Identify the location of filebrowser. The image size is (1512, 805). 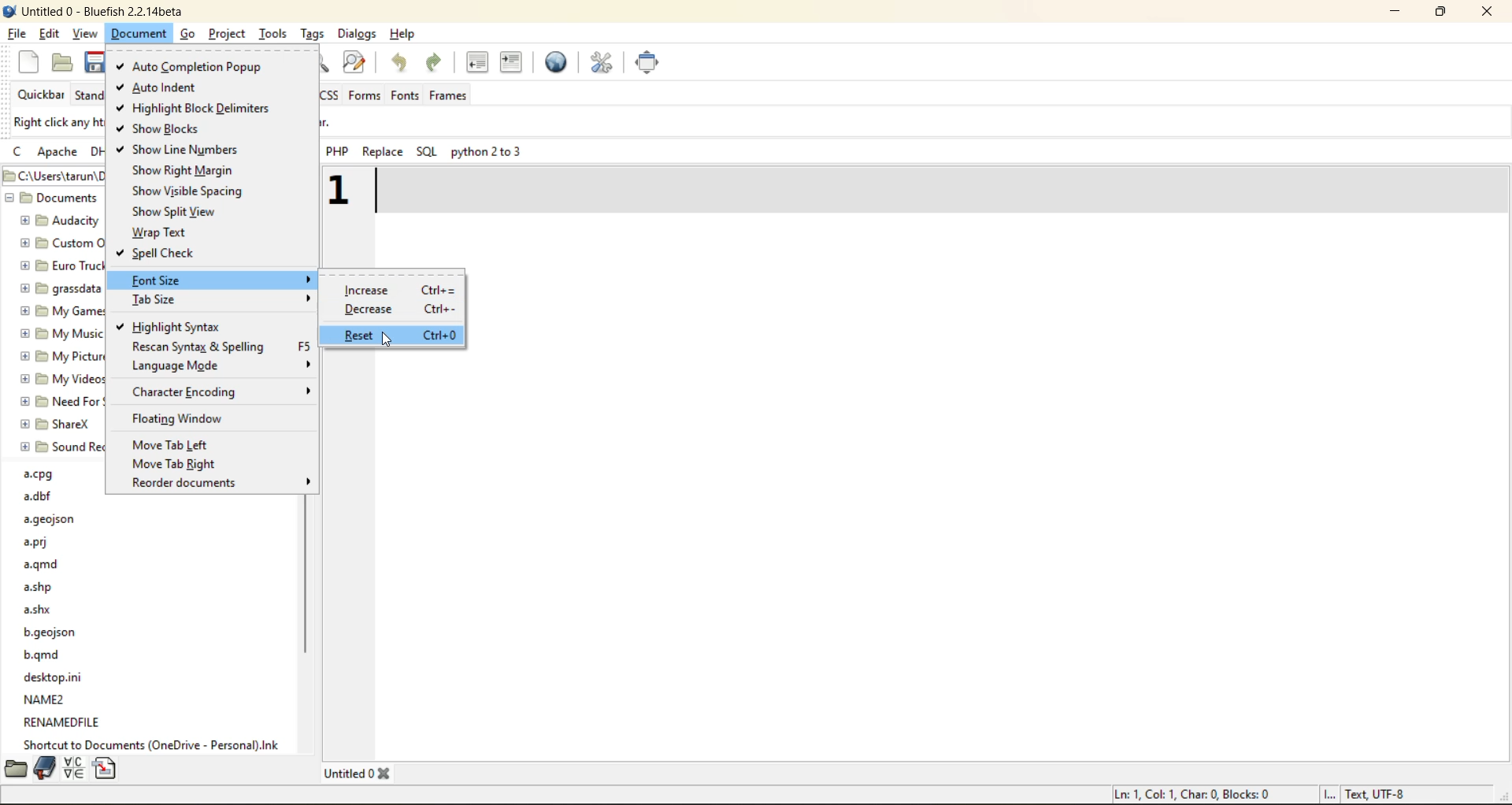
(14, 769).